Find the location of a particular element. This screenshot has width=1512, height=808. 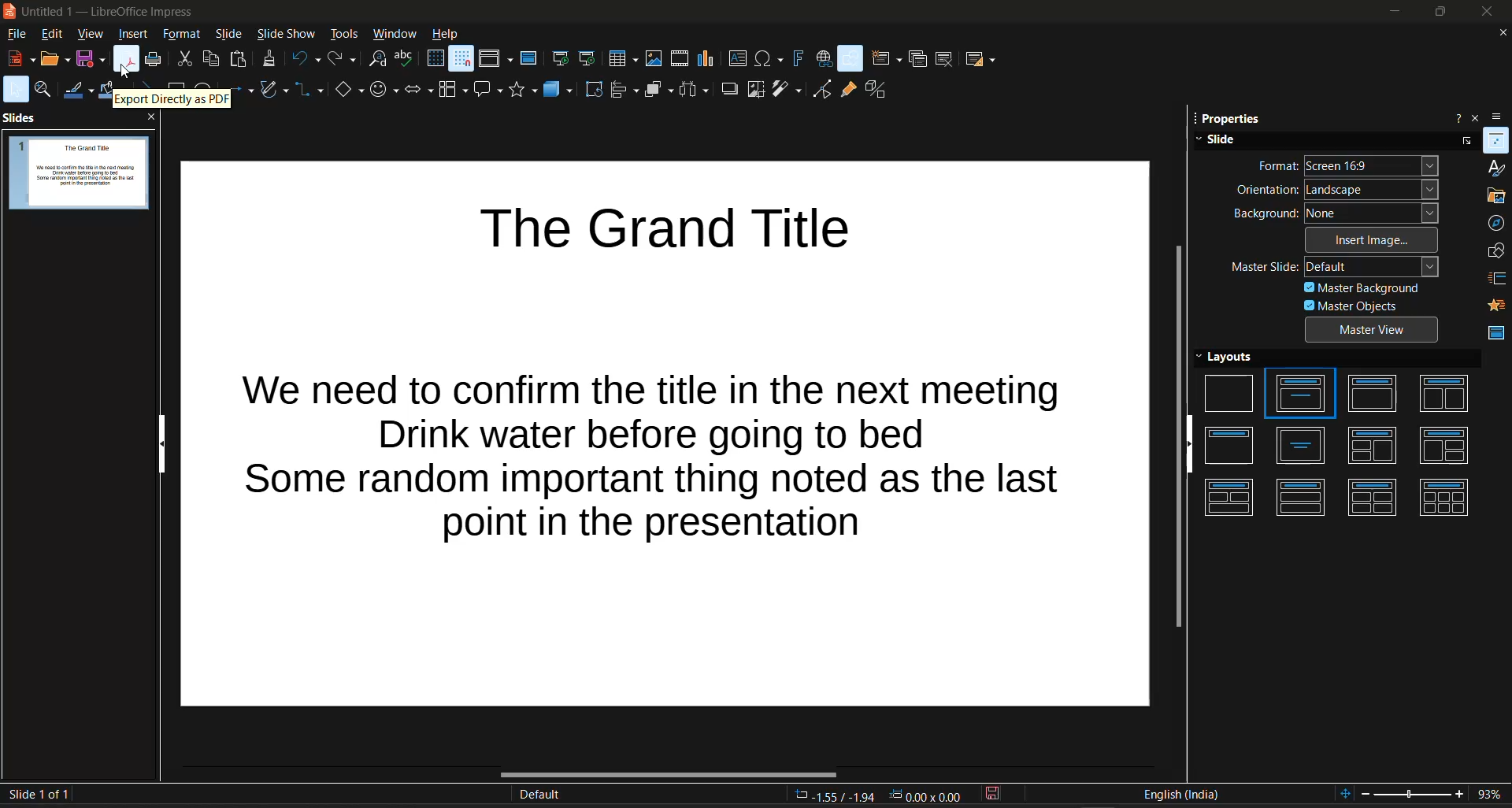

cut is located at coordinates (185, 57).